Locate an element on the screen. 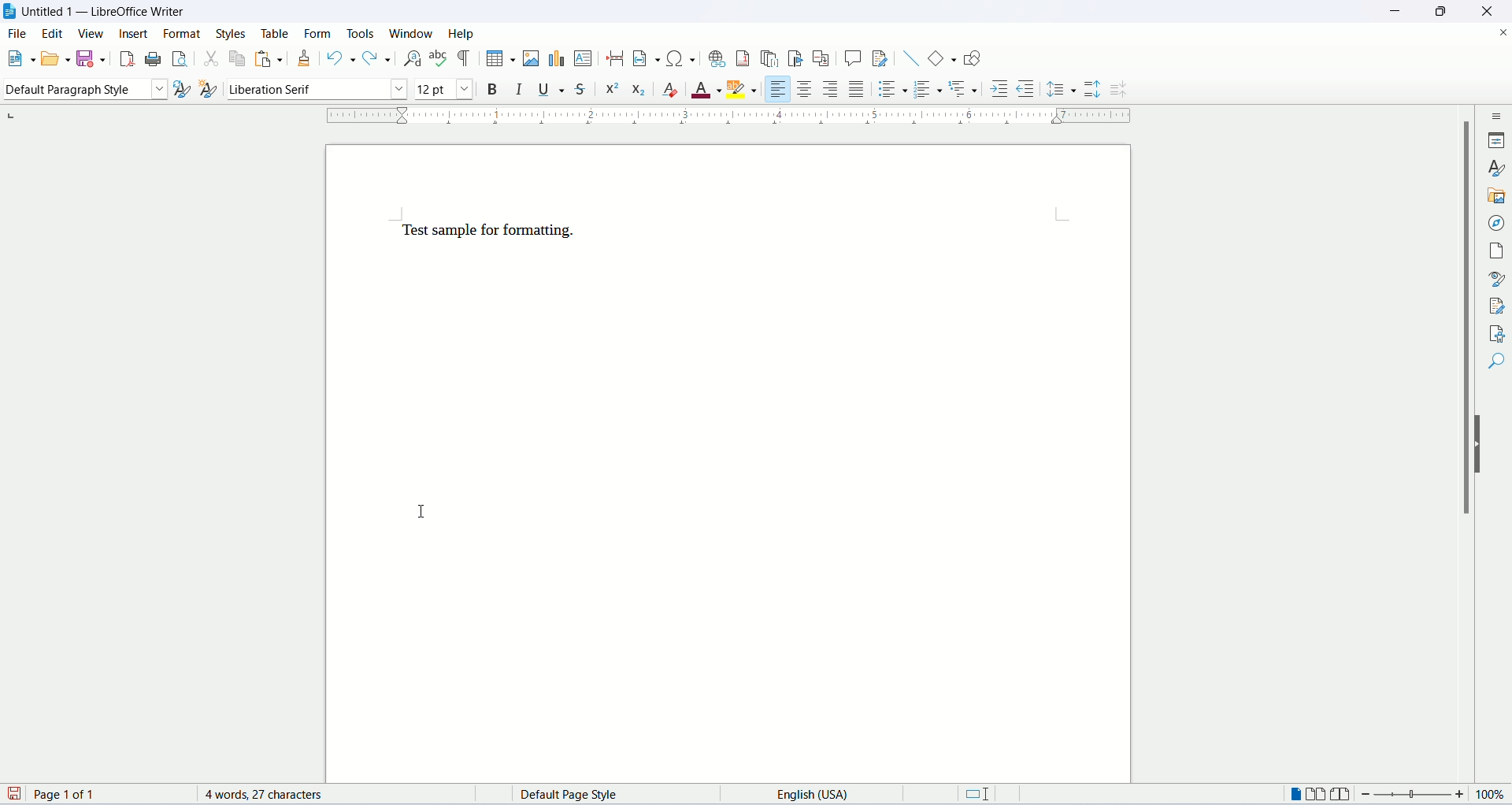 This screenshot has width=1512, height=805. English(USA) is located at coordinates (800, 793).